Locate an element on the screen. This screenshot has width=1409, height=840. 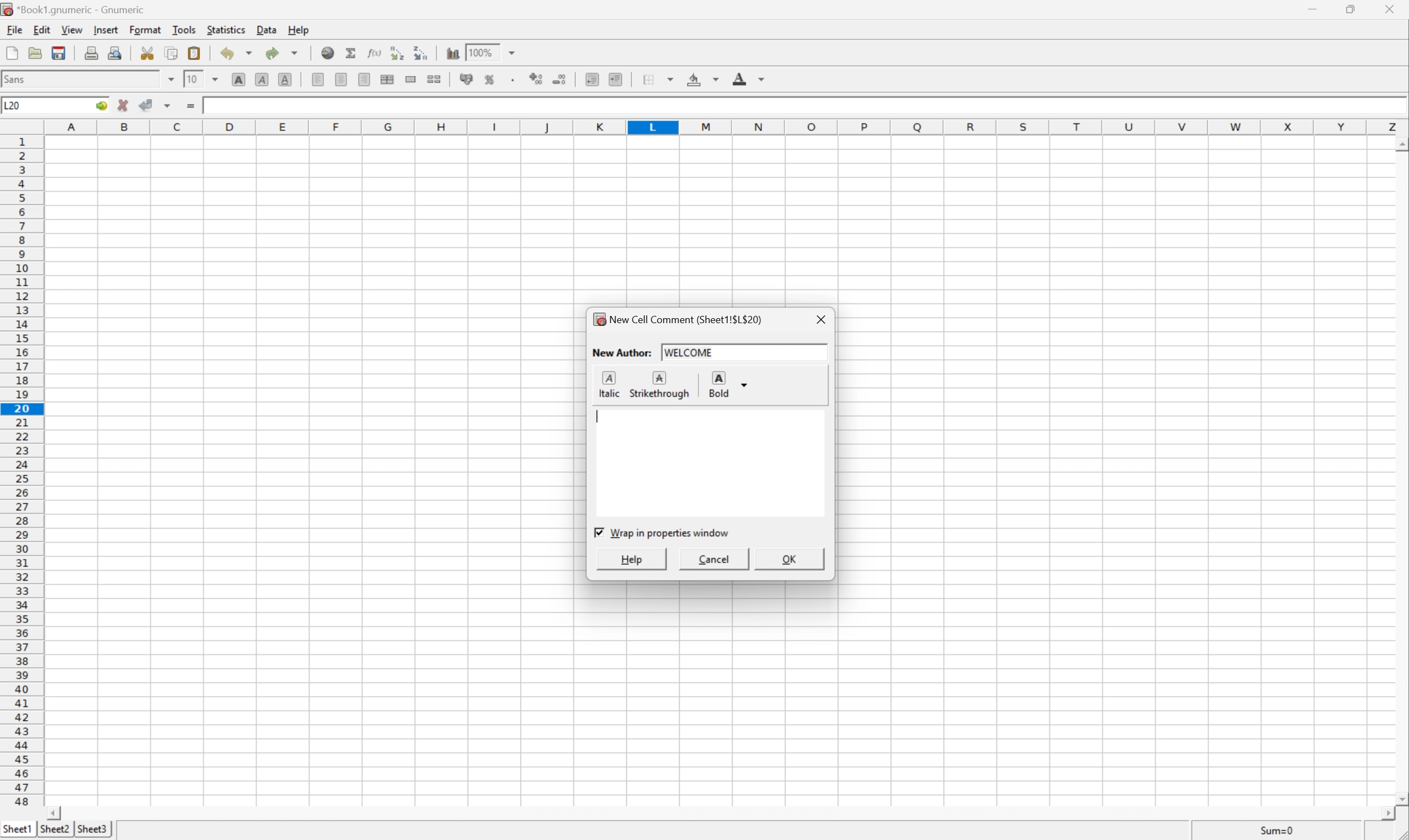
Scroll Right is located at coordinates (1380, 813).